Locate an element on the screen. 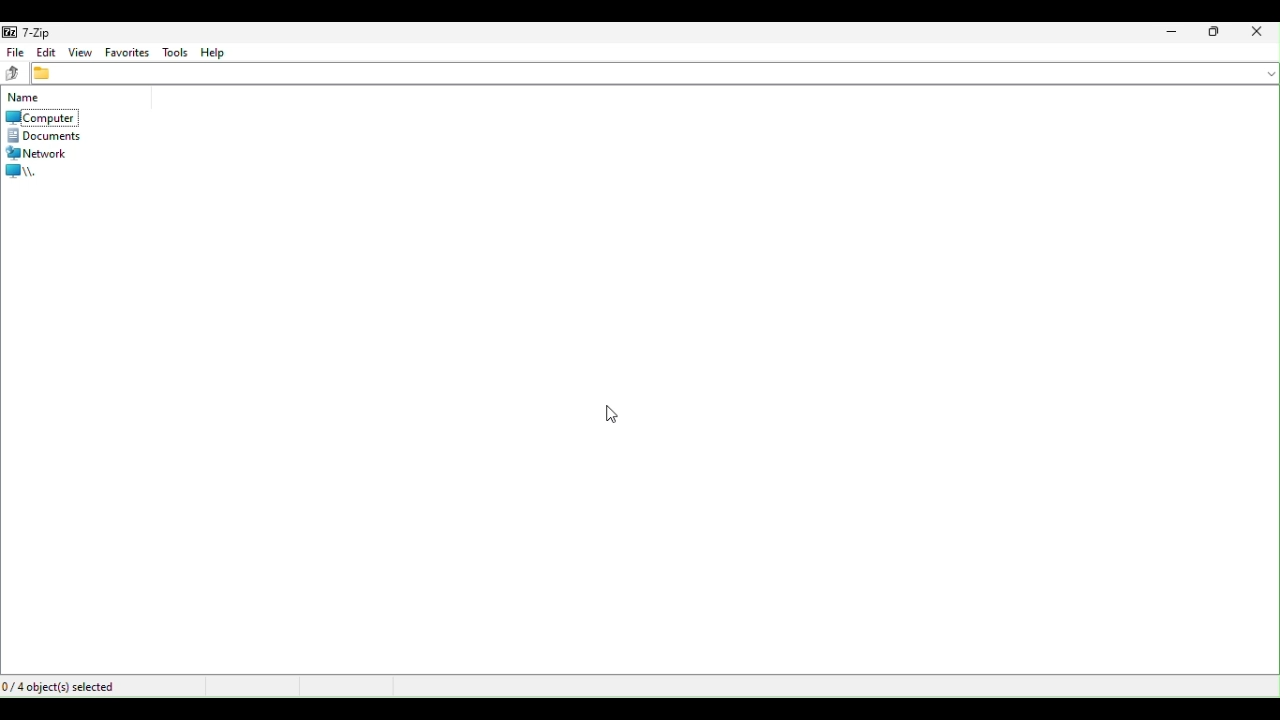 The width and height of the screenshot is (1280, 720). Documents is located at coordinates (59, 136).